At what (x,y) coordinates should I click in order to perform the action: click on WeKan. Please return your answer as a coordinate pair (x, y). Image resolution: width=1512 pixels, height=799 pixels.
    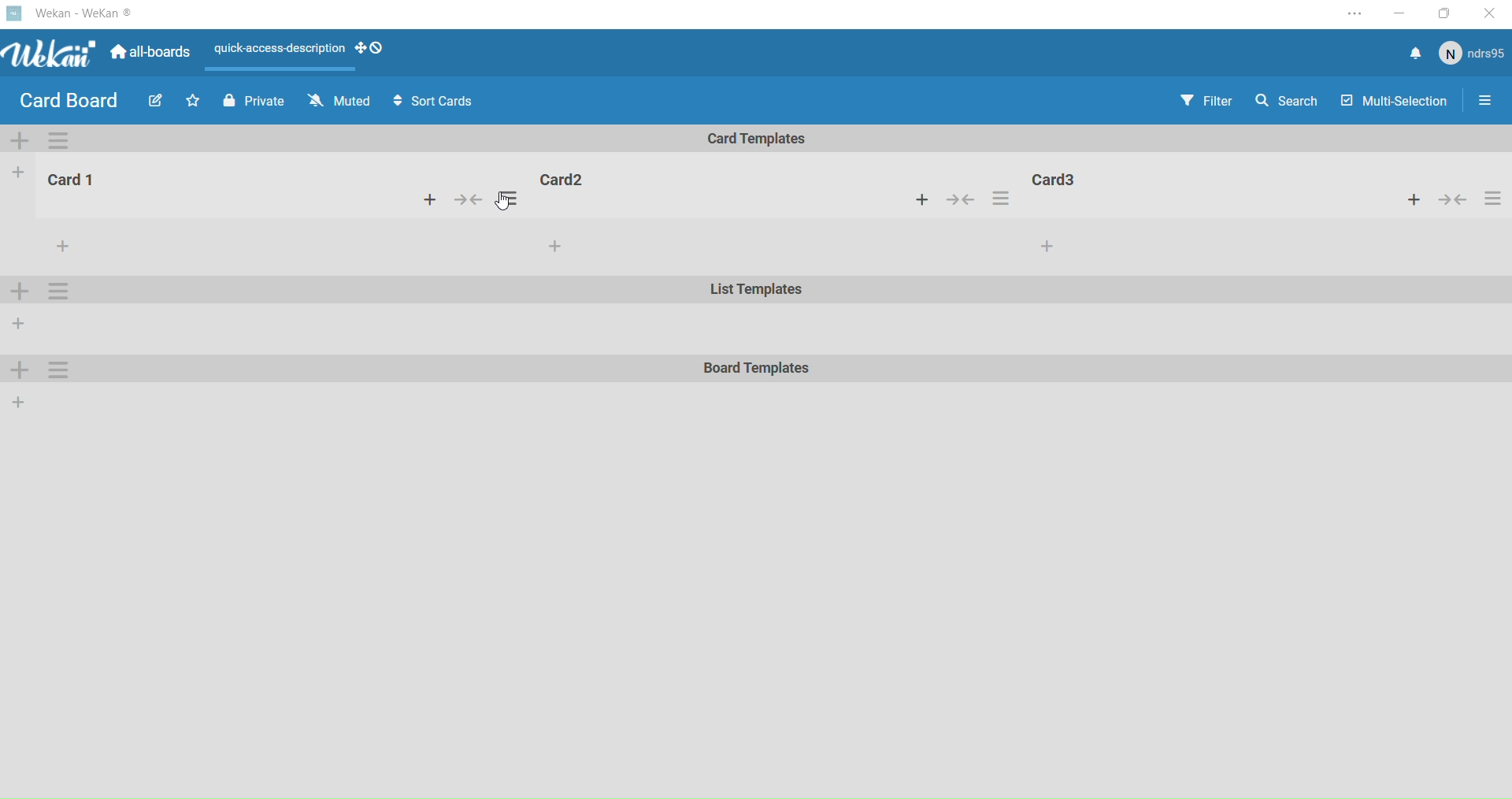
    Looking at the image, I should click on (49, 55).